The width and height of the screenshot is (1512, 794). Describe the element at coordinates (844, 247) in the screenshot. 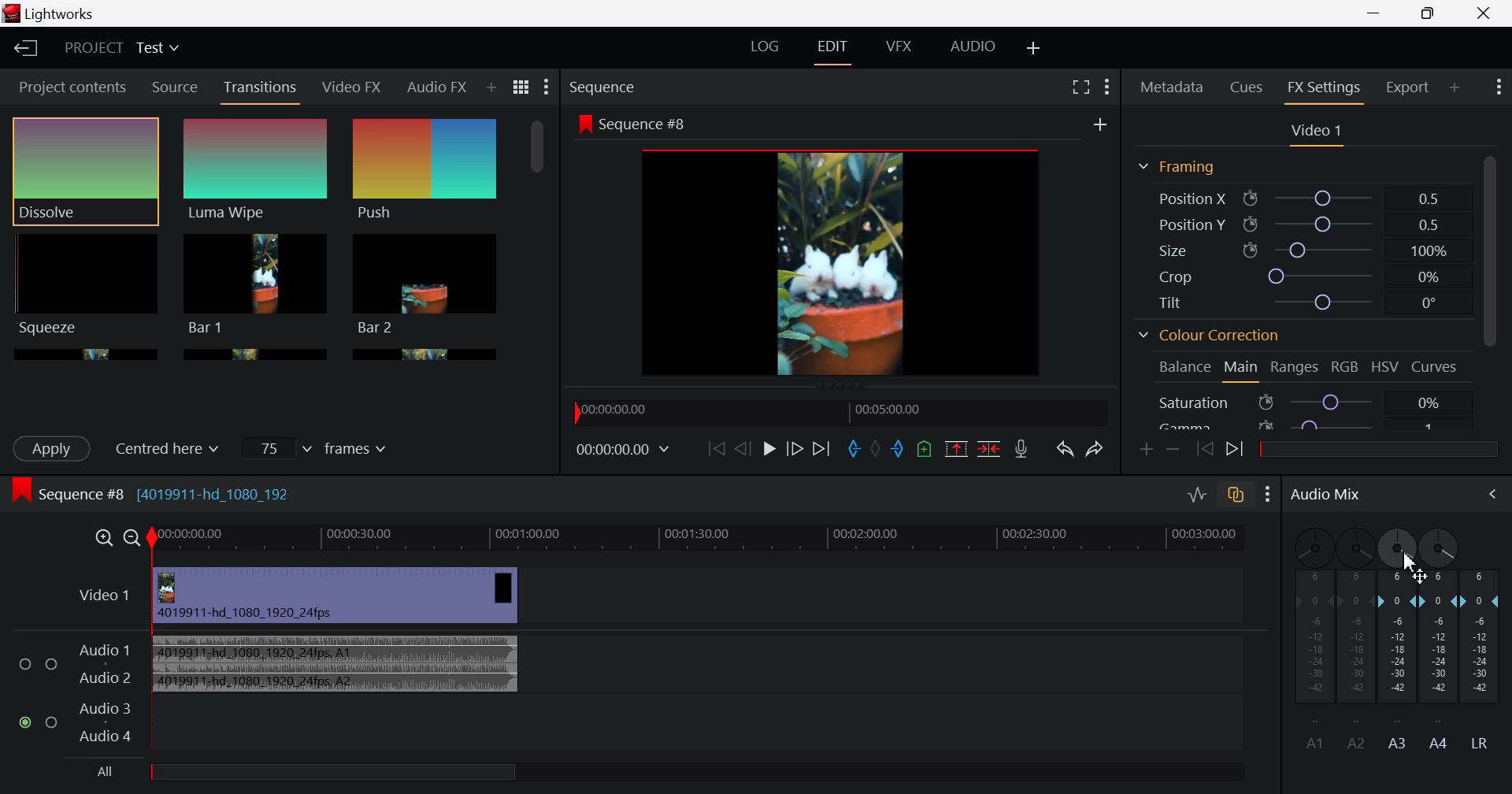

I see `Sequence Preview Screen` at that location.